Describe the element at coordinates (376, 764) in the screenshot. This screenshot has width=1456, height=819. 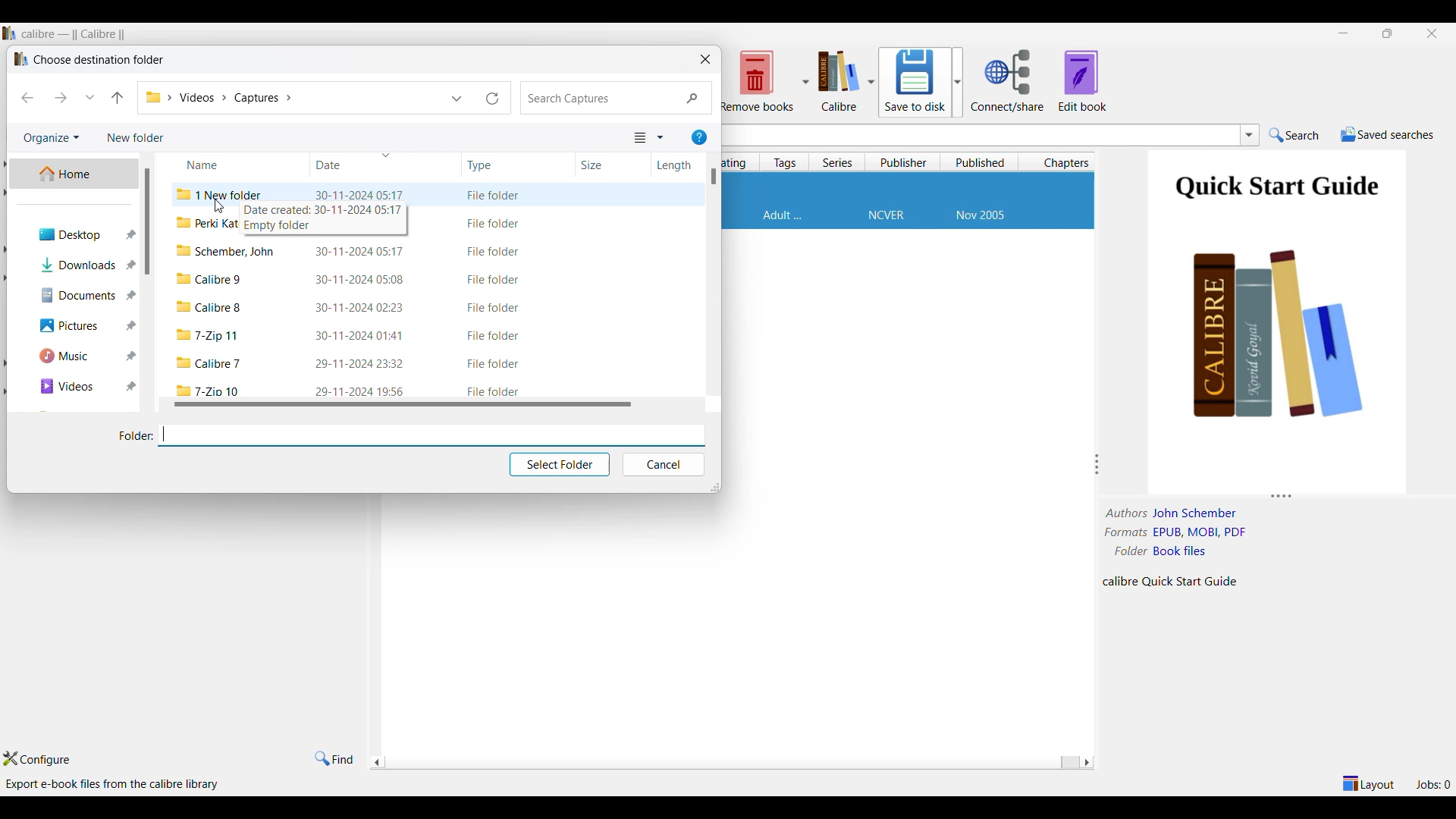
I see `scroll right` at that location.